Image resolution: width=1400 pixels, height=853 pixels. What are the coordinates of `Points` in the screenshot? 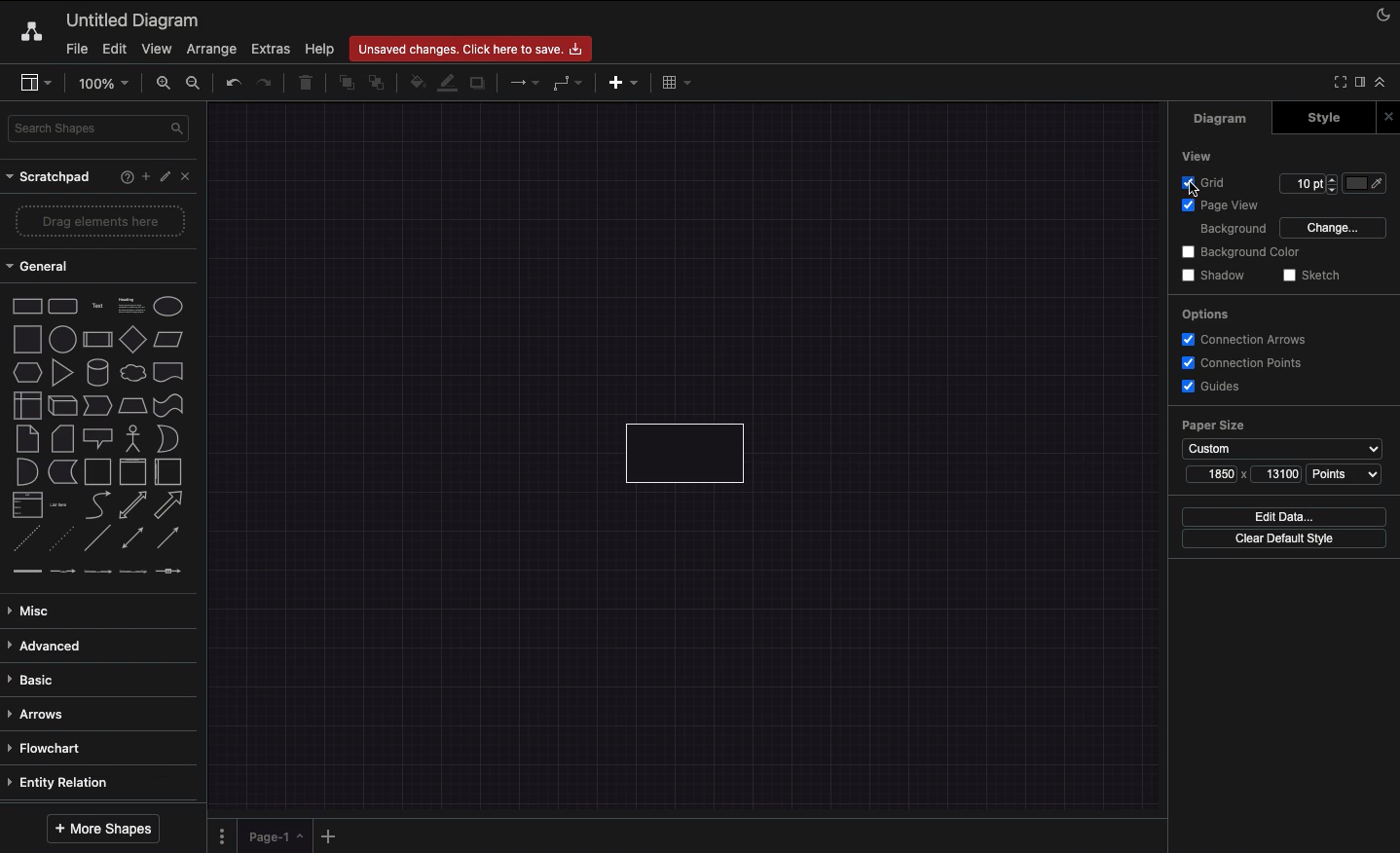 It's located at (1345, 476).